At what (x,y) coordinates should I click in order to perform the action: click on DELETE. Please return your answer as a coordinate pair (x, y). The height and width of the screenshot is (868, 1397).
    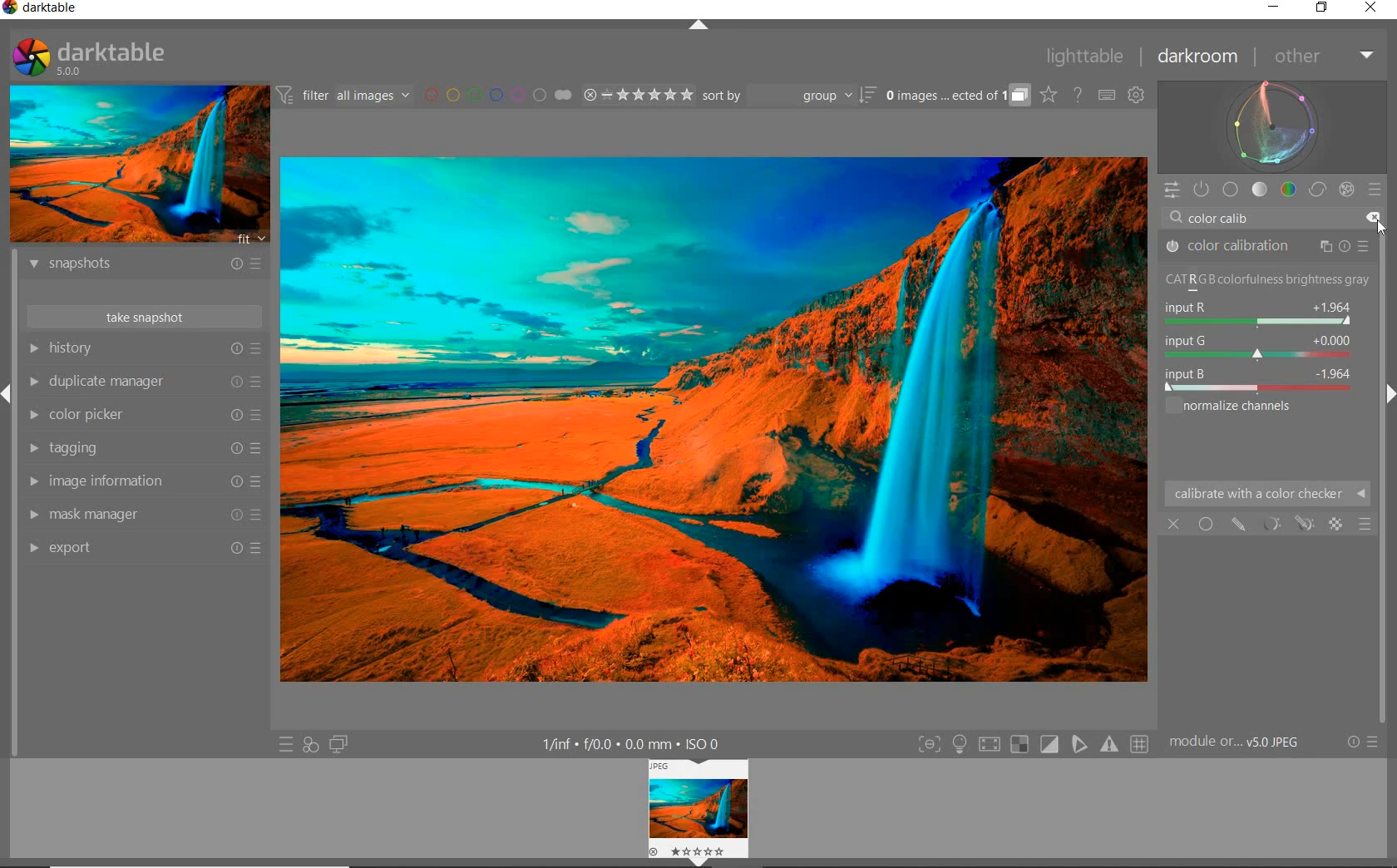
    Looking at the image, I should click on (1372, 218).